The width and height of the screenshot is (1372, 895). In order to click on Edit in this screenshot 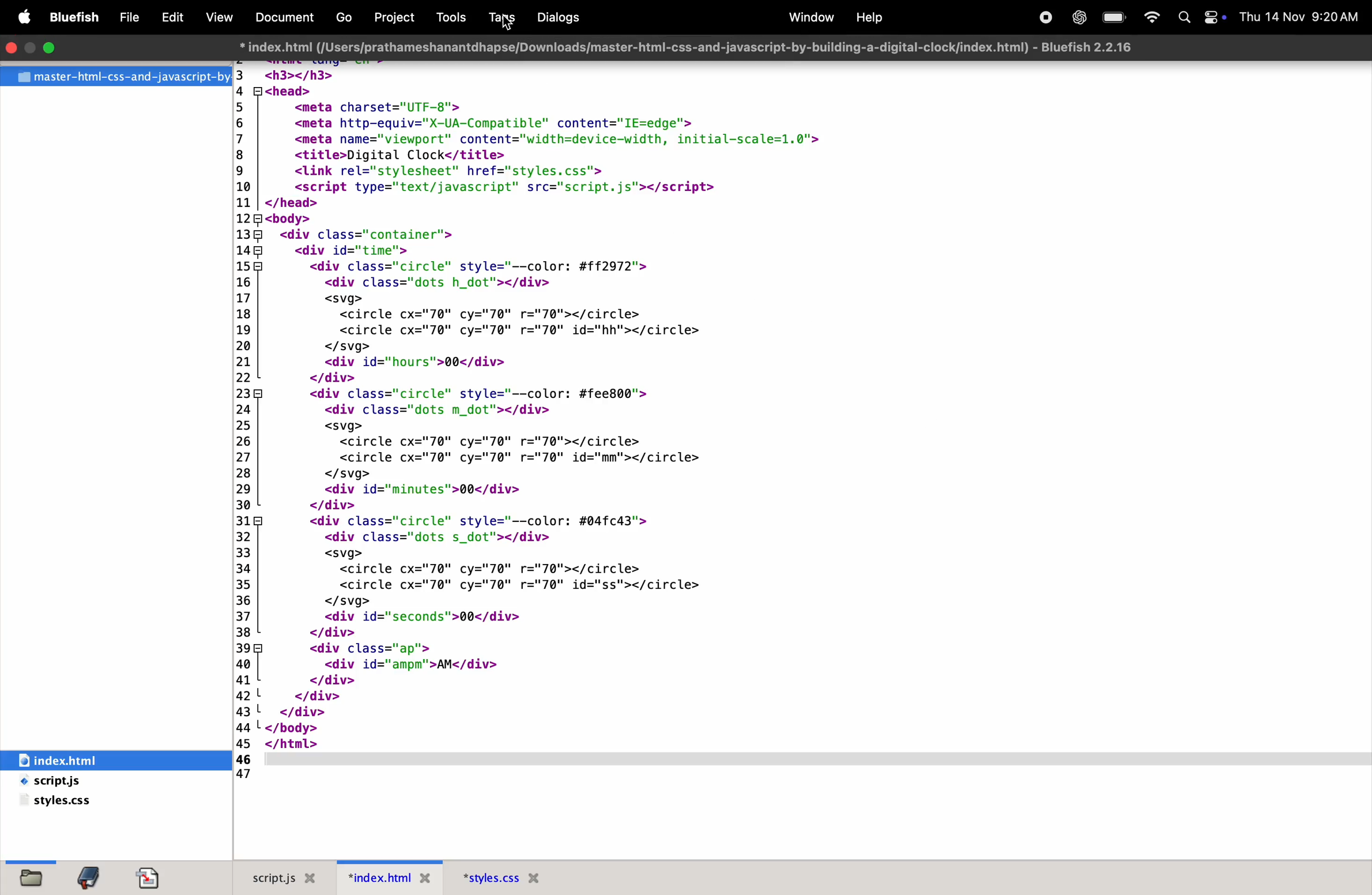, I will do `click(172, 18)`.